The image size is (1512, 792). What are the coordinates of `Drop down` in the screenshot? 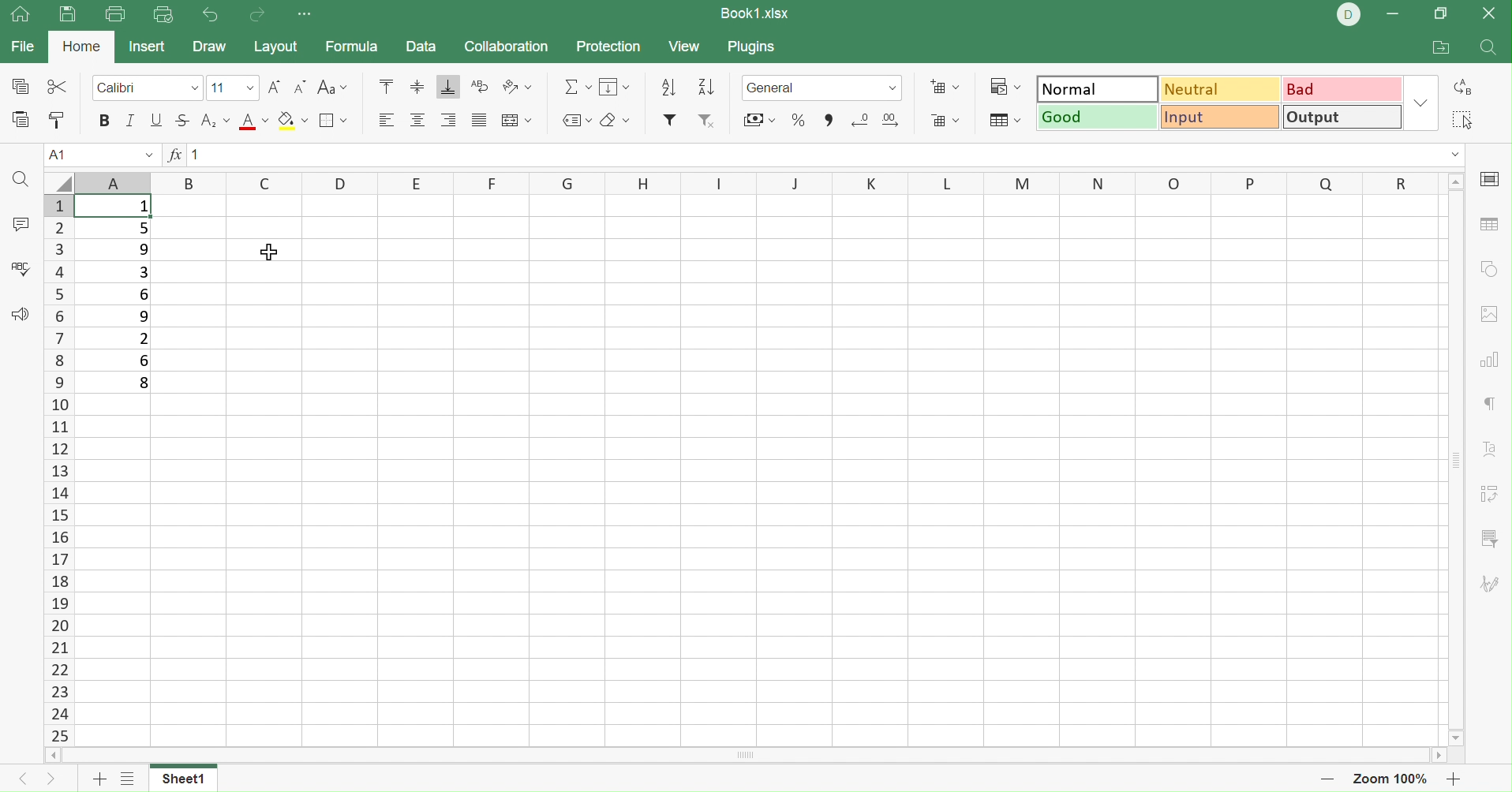 It's located at (149, 155).